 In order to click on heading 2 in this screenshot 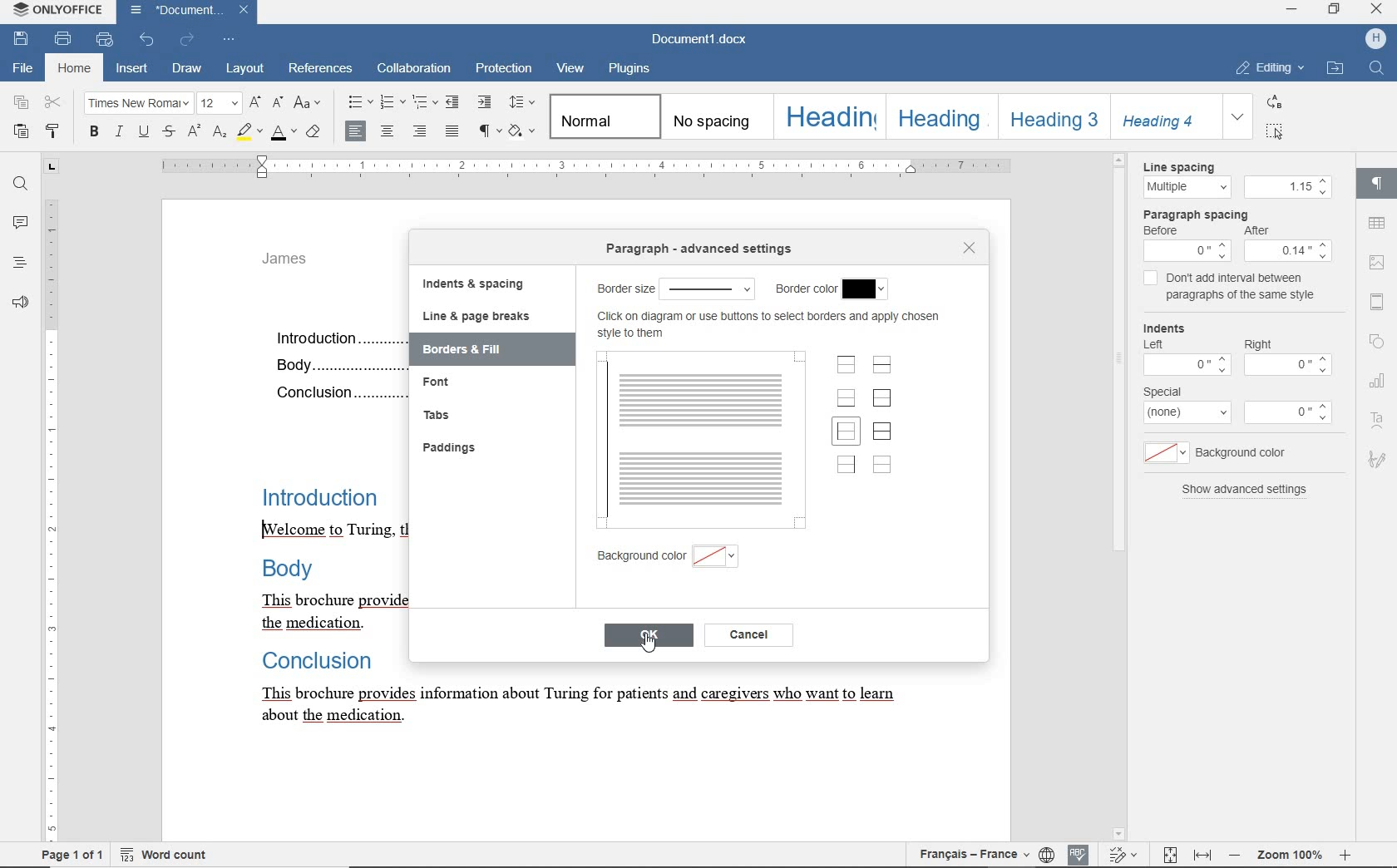, I will do `click(938, 116)`.